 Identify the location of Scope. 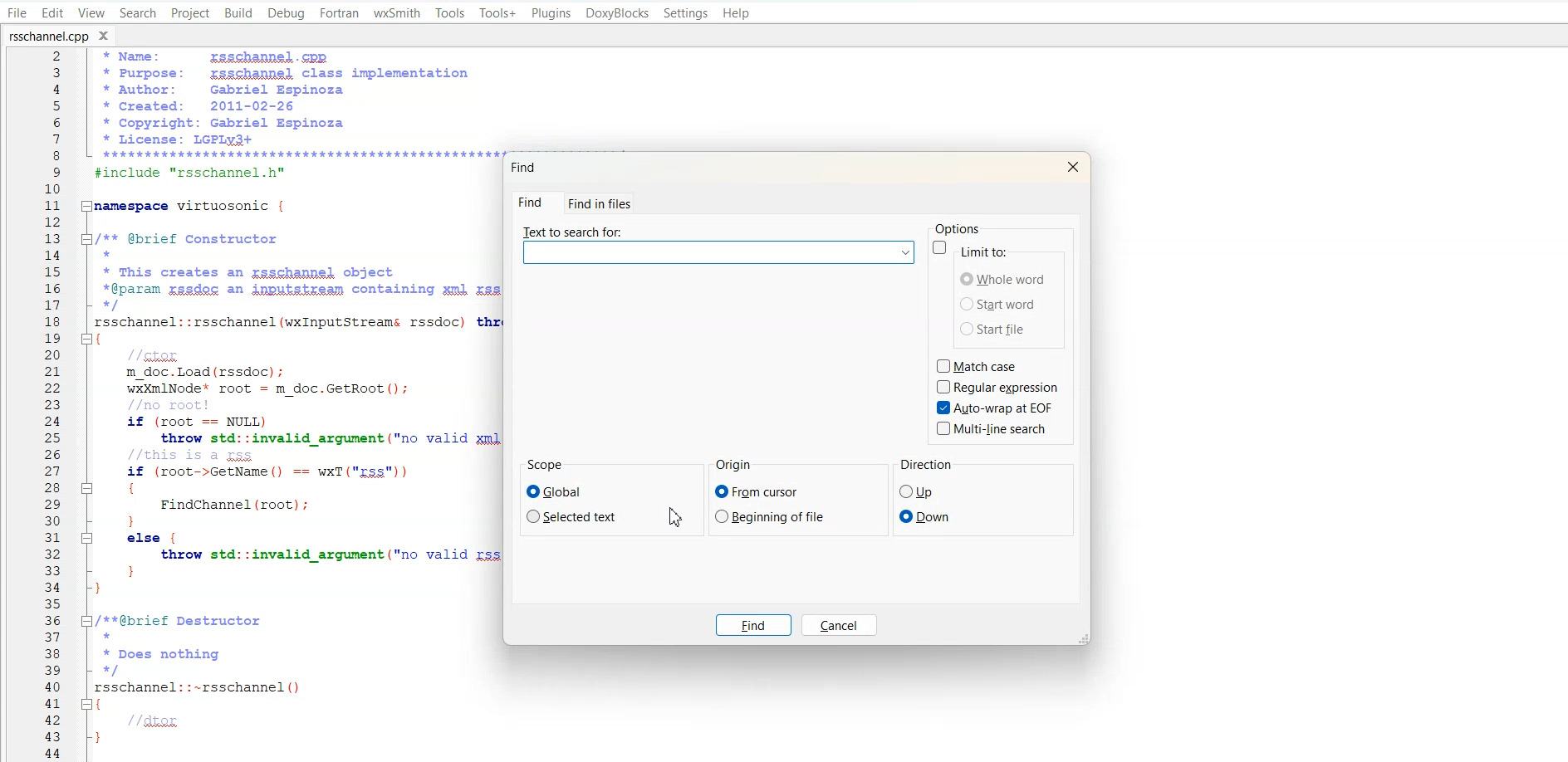
(546, 466).